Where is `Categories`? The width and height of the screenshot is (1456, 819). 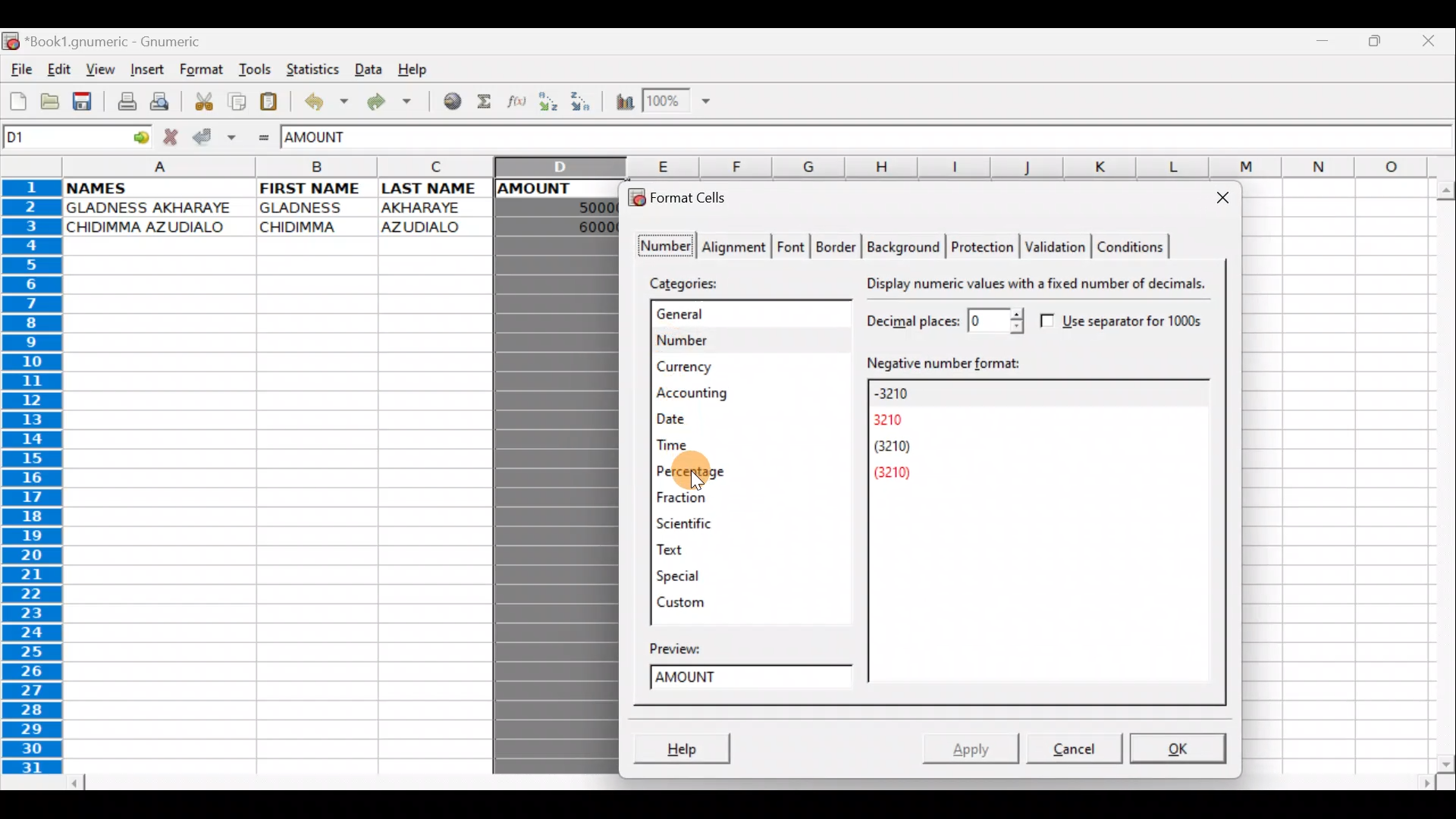 Categories is located at coordinates (692, 282).